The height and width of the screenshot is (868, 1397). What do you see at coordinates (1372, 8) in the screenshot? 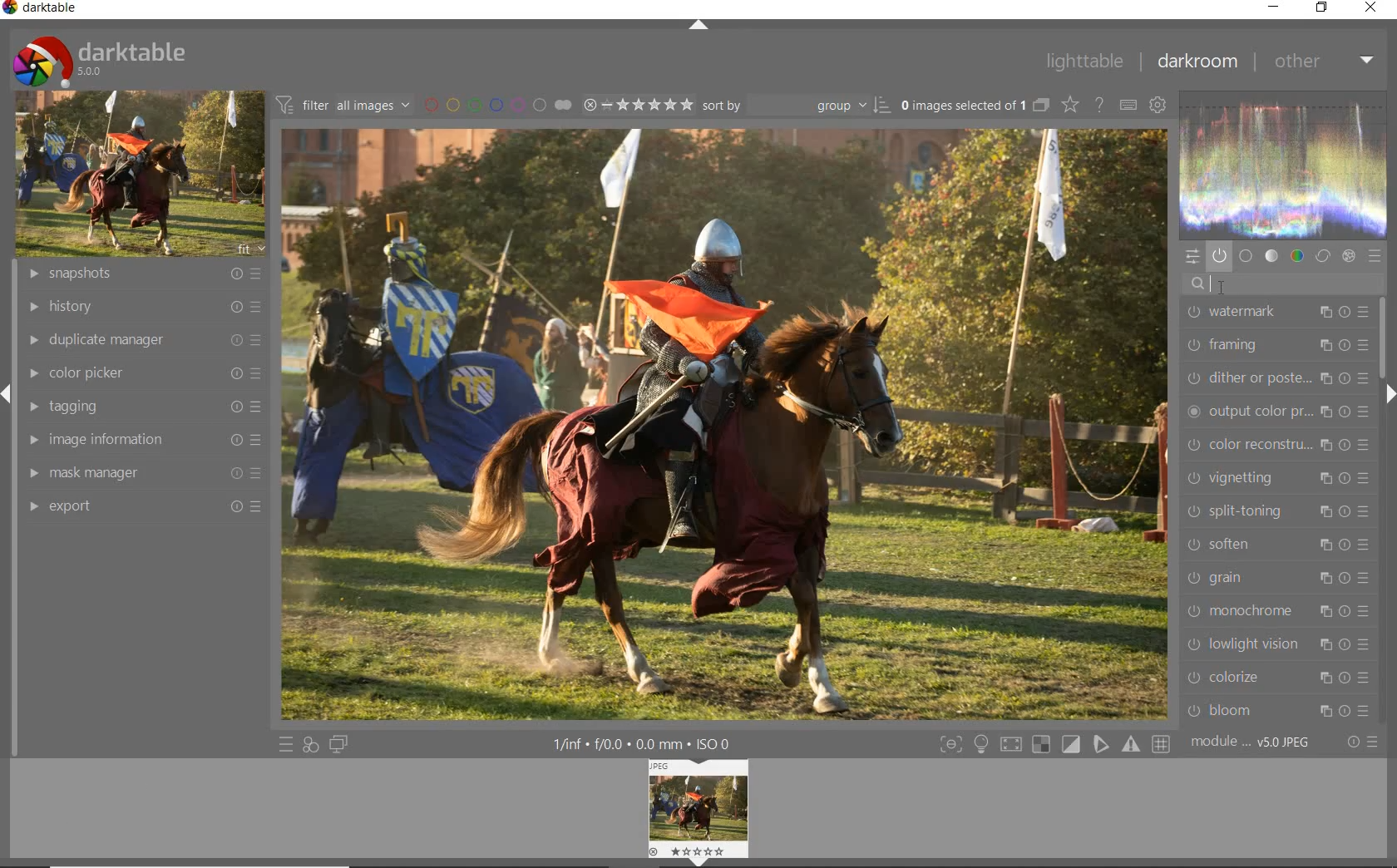
I see `close` at bounding box center [1372, 8].